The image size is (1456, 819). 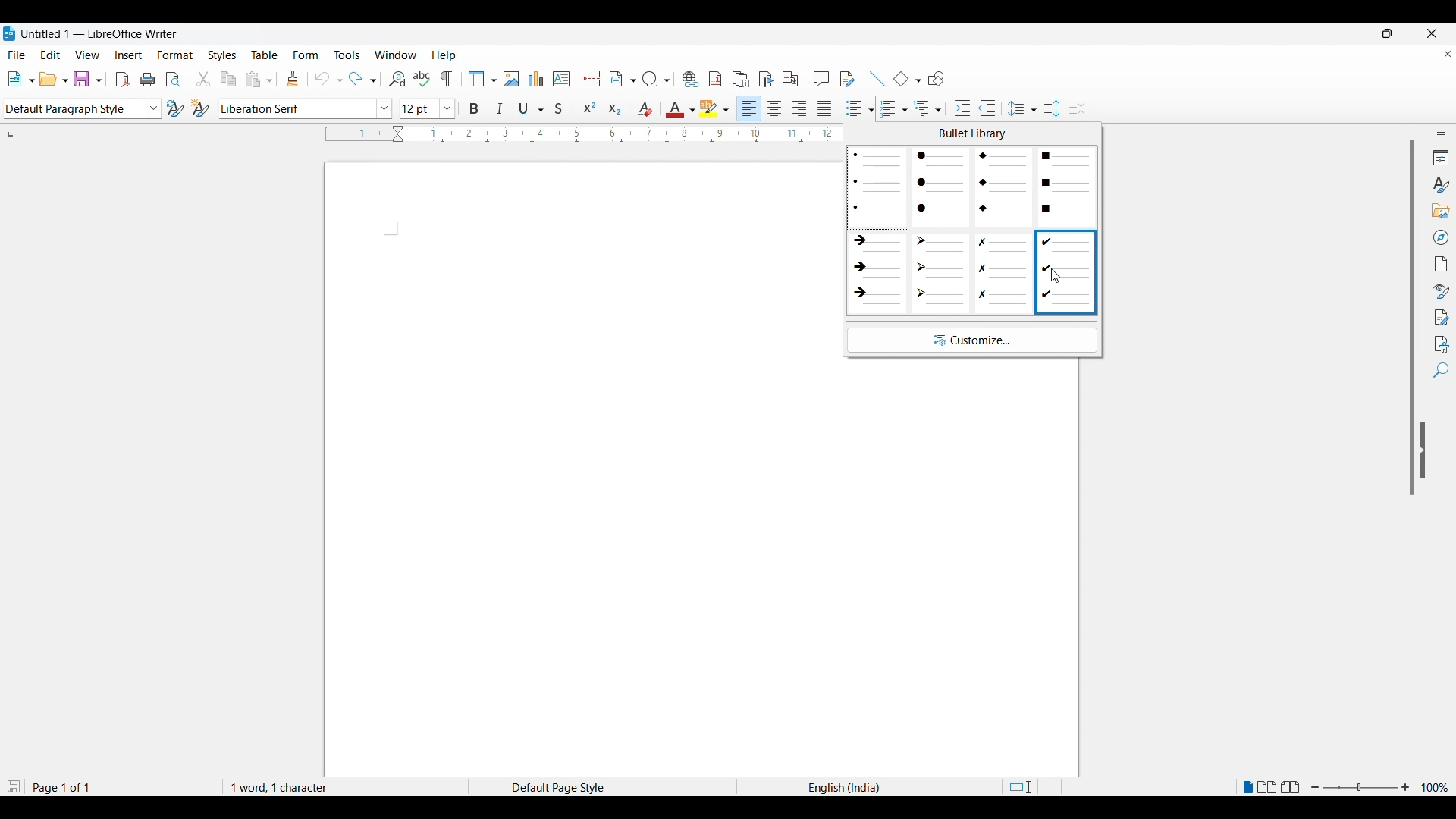 What do you see at coordinates (1404, 319) in the screenshot?
I see `vertical scroll bar` at bounding box center [1404, 319].